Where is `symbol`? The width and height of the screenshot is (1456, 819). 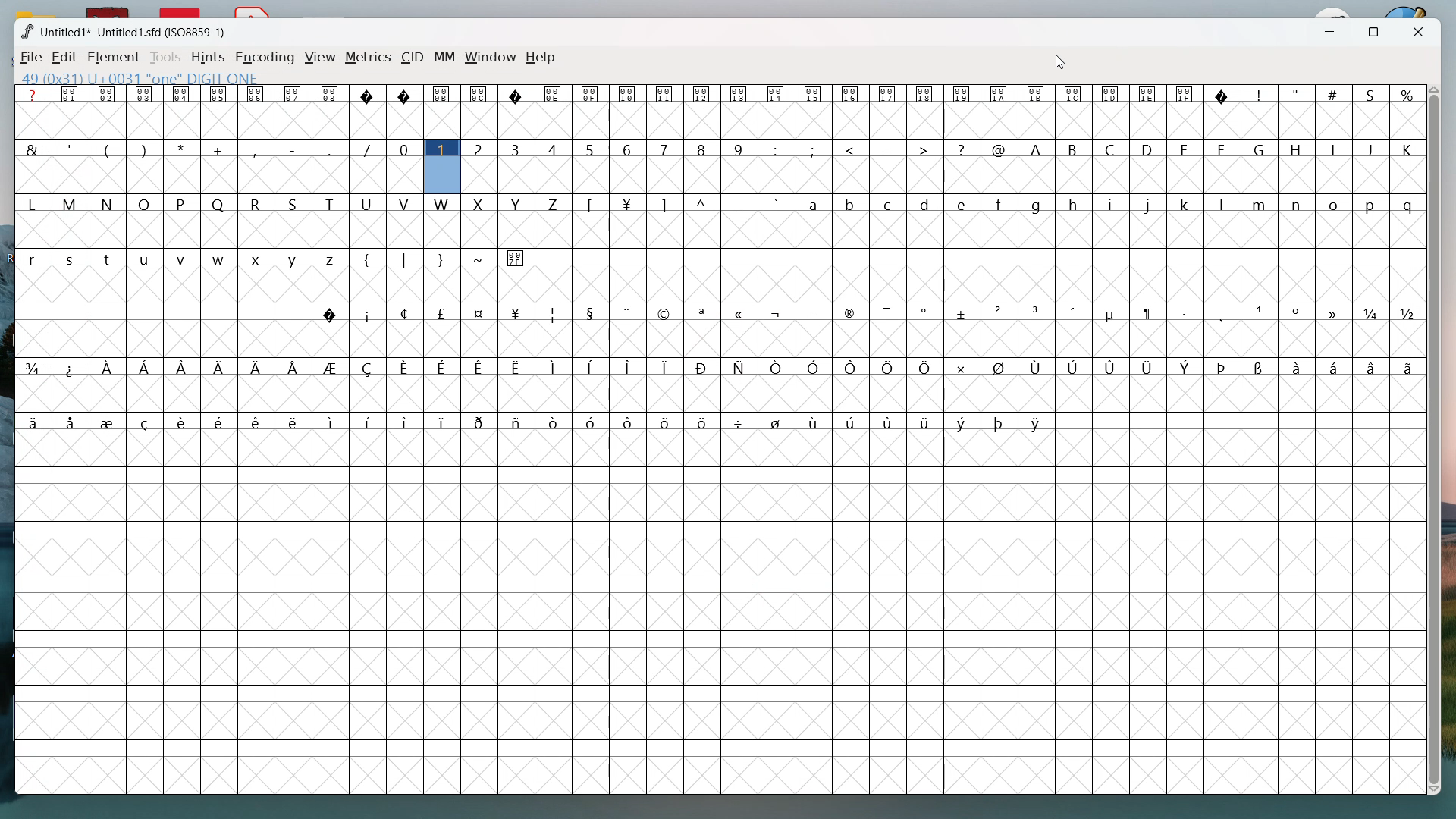
symbol is located at coordinates (778, 311).